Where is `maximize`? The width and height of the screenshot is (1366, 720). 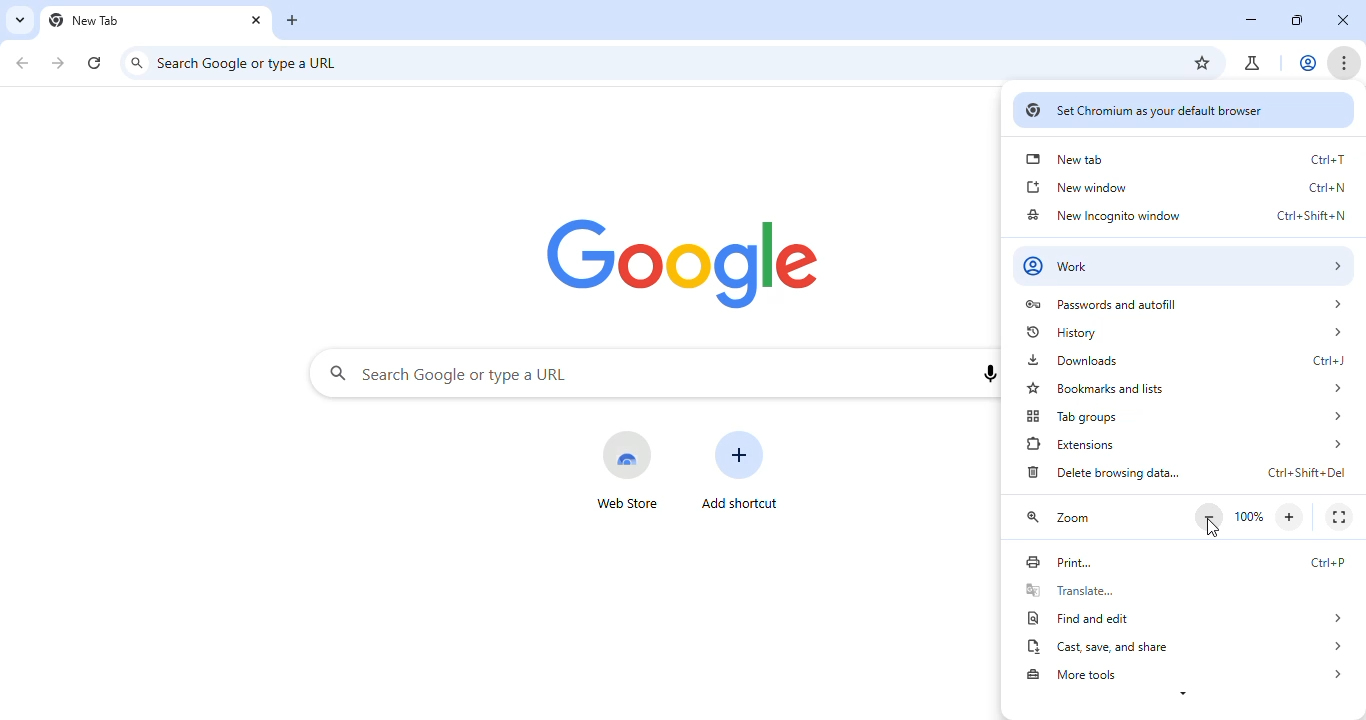
maximize is located at coordinates (1298, 21).